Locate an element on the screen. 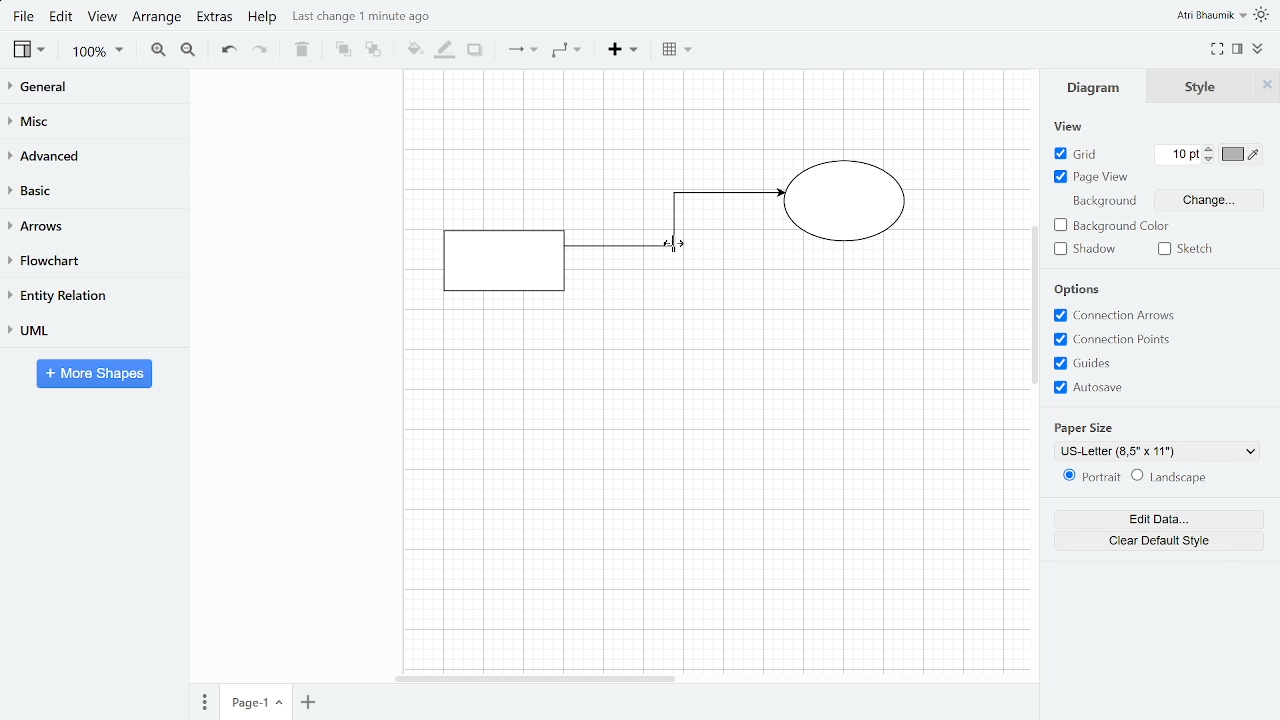 Image resolution: width=1280 pixels, height=720 pixels. Increase grid pt is located at coordinates (1210, 147).